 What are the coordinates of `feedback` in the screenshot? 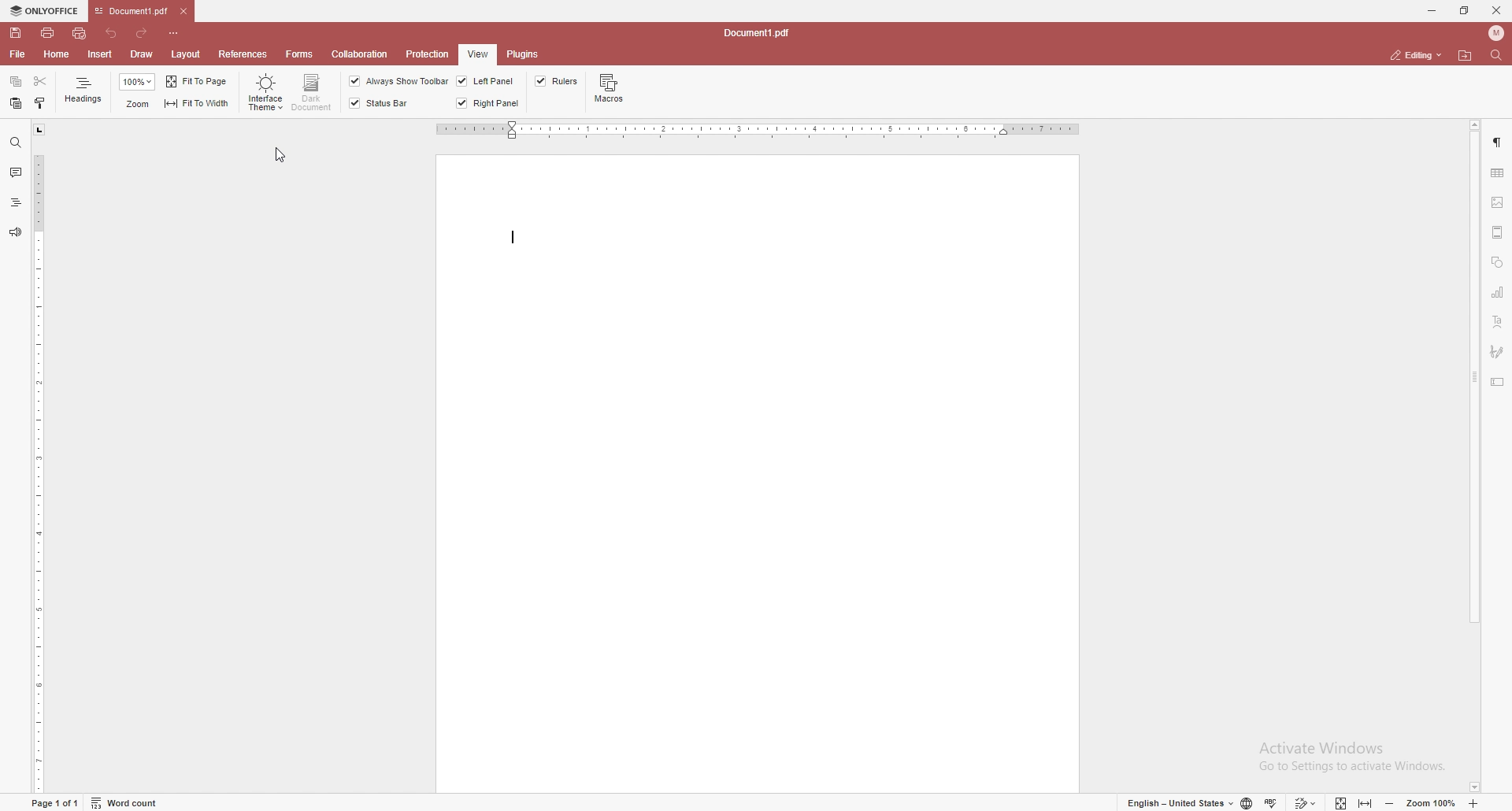 It's located at (15, 233).